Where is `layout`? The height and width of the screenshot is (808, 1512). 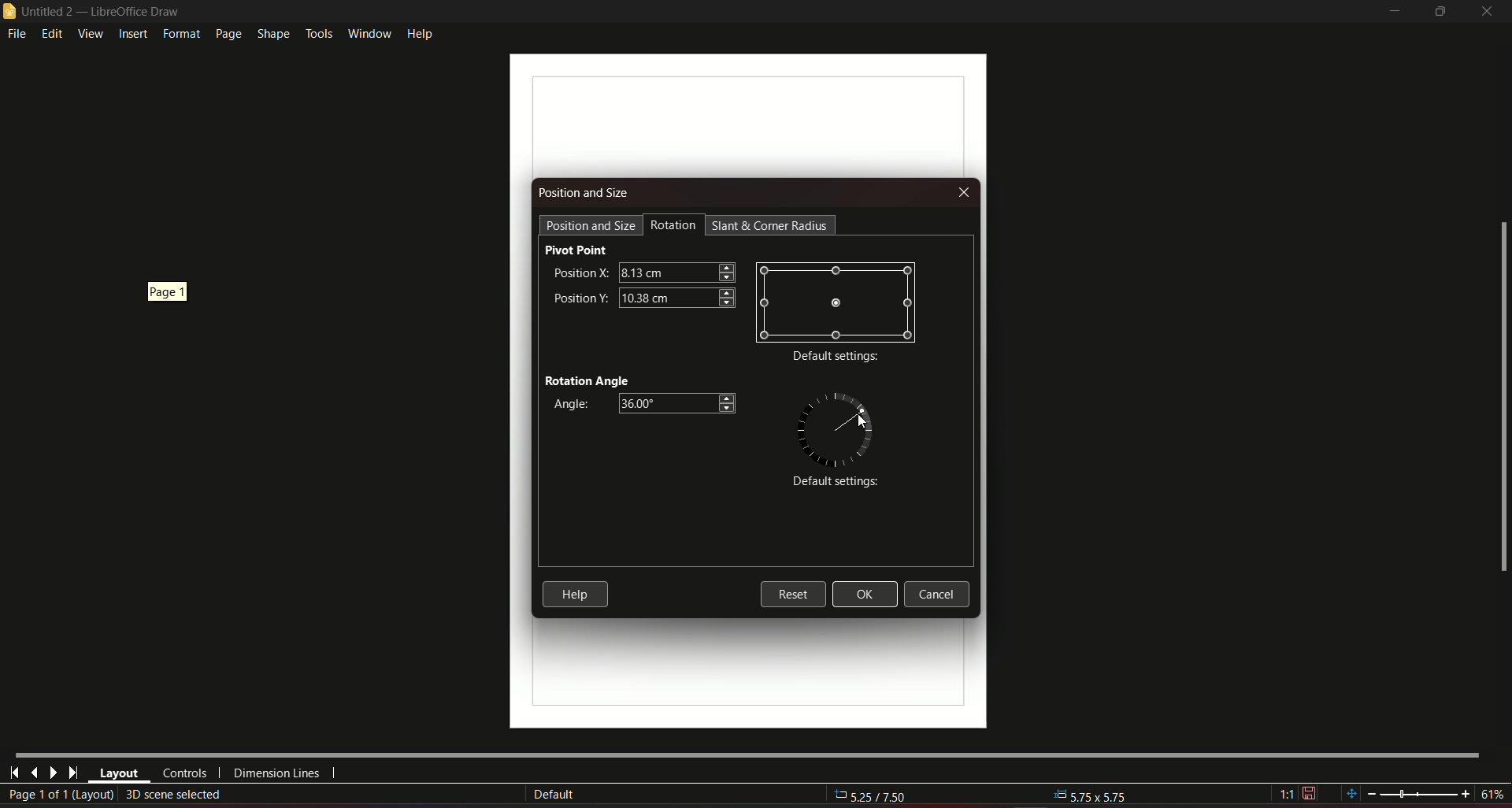
layout is located at coordinates (119, 774).